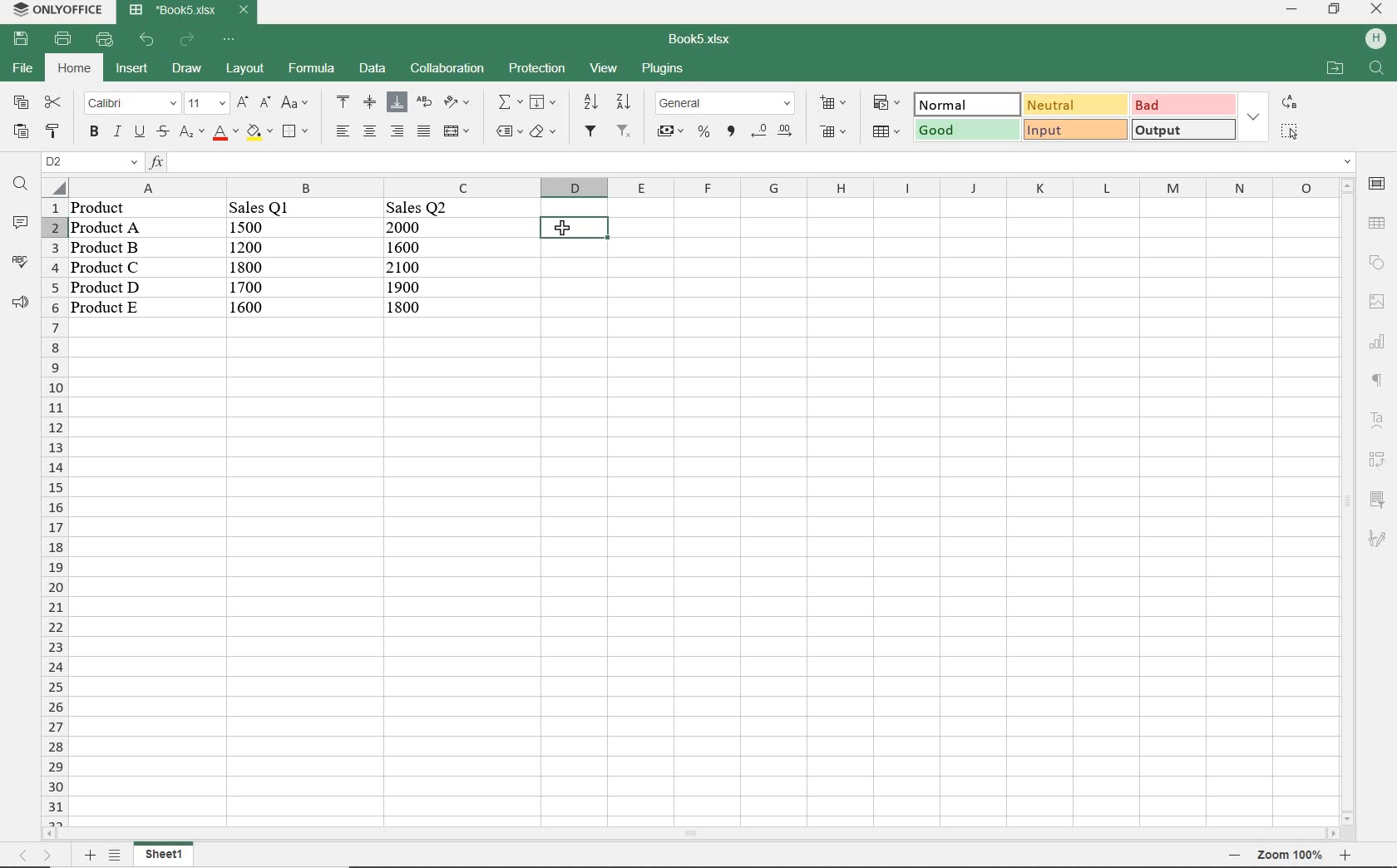 Image resolution: width=1397 pixels, height=868 pixels. Describe the element at coordinates (1335, 67) in the screenshot. I see `open file location` at that location.